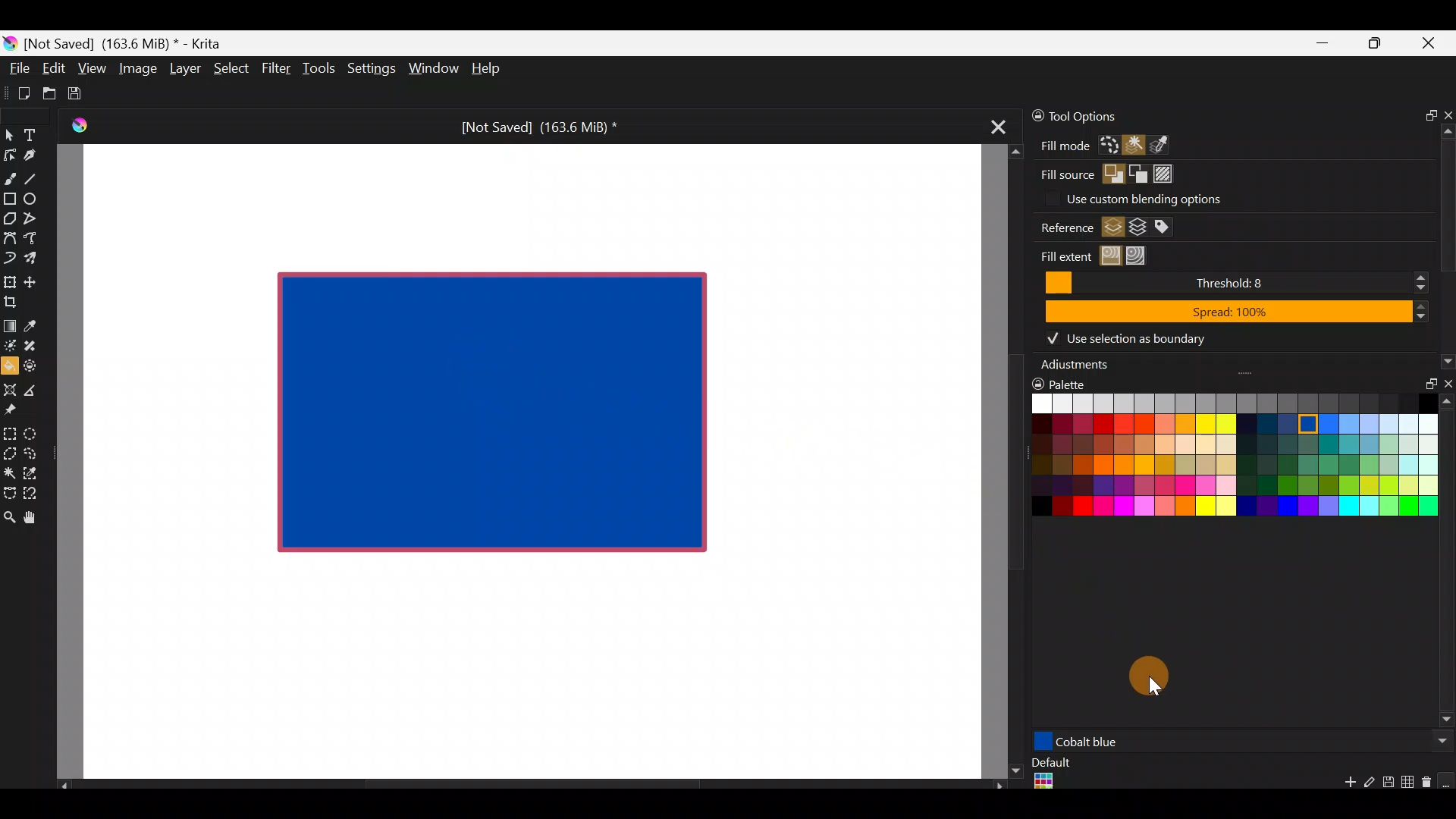 The height and width of the screenshot is (819, 1456). What do you see at coordinates (1232, 283) in the screenshot?
I see `Threshold` at bounding box center [1232, 283].